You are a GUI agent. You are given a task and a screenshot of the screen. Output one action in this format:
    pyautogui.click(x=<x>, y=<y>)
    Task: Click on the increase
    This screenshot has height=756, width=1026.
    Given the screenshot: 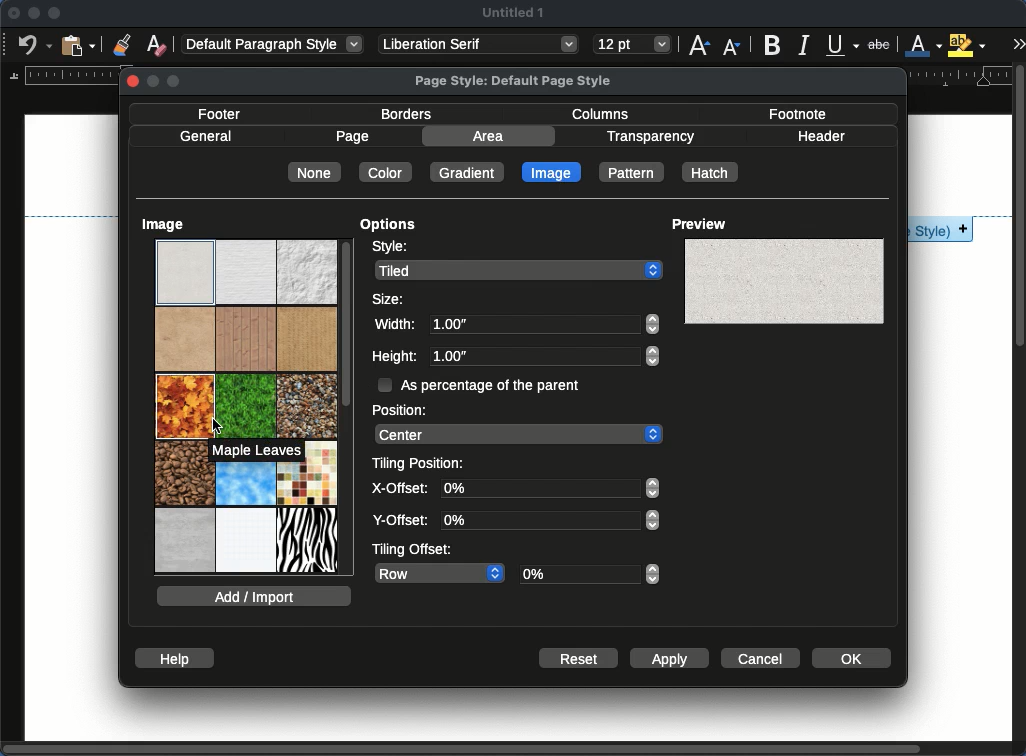 What is the action you would take?
    pyautogui.click(x=700, y=45)
    